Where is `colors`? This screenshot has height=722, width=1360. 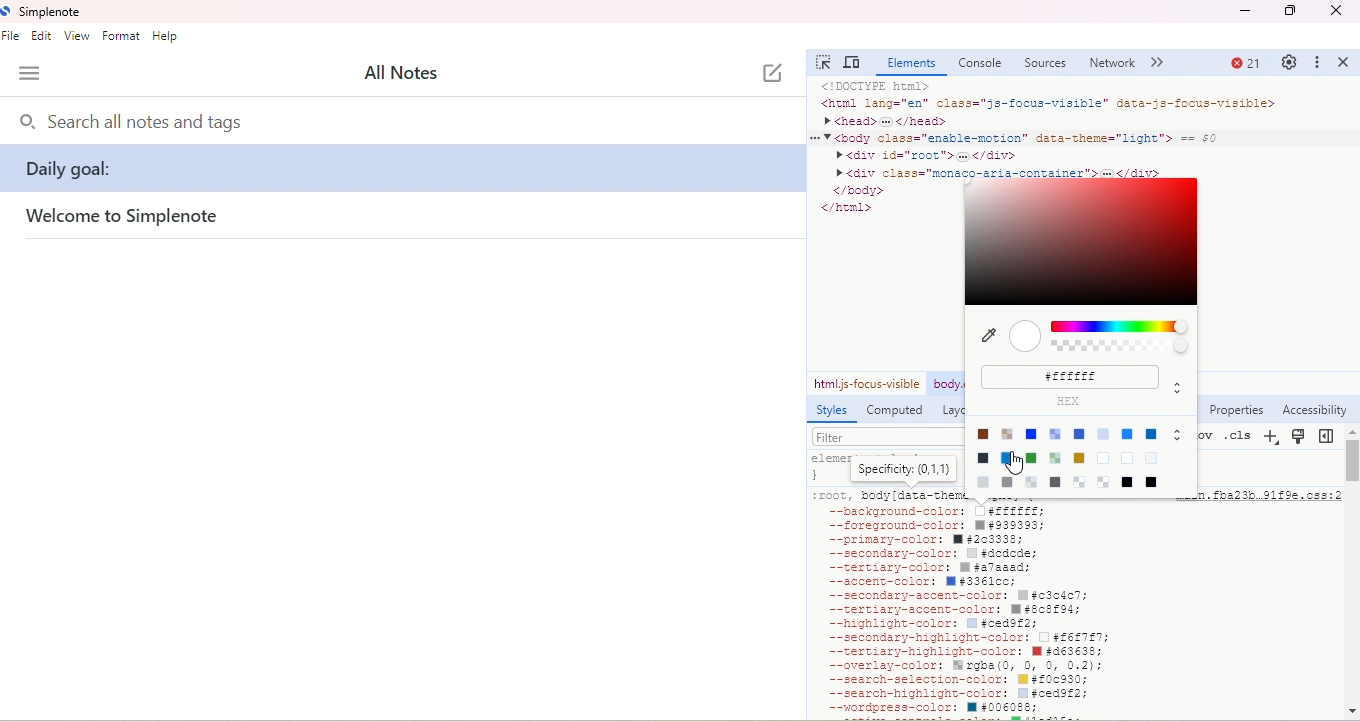 colors is located at coordinates (1122, 341).